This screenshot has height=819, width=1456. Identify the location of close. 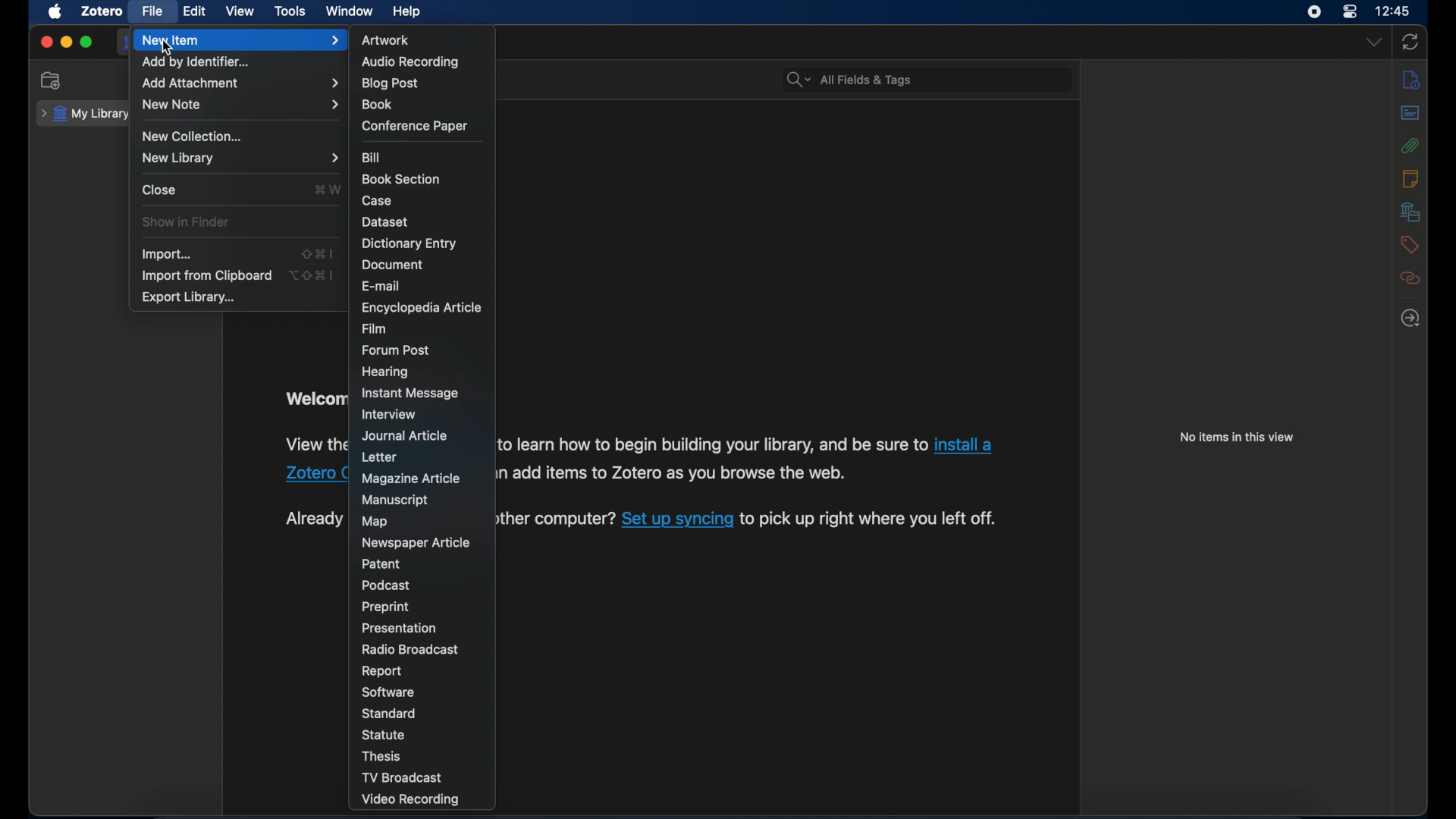
(45, 41).